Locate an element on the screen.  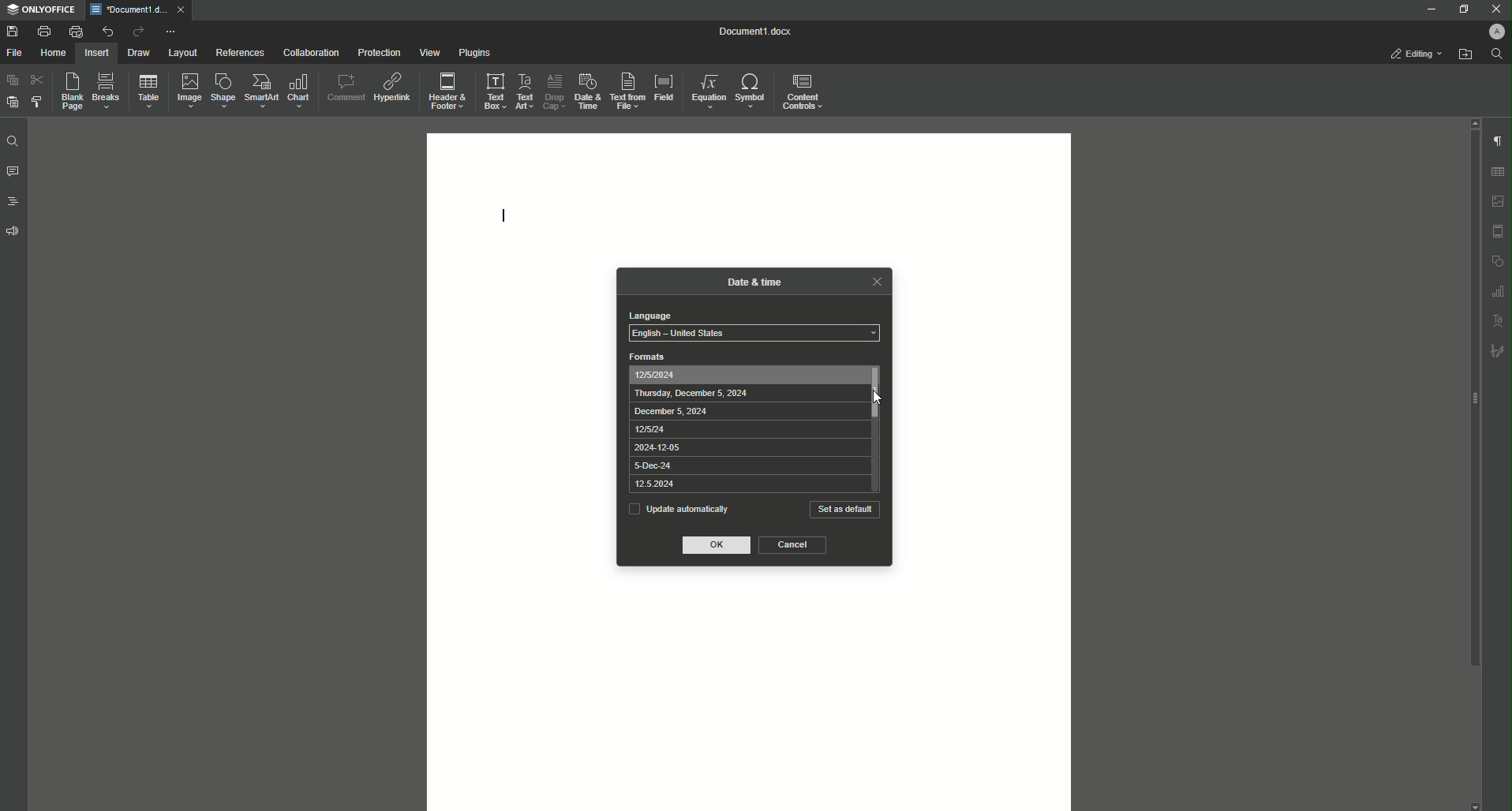
Document1.docx is located at coordinates (757, 32).